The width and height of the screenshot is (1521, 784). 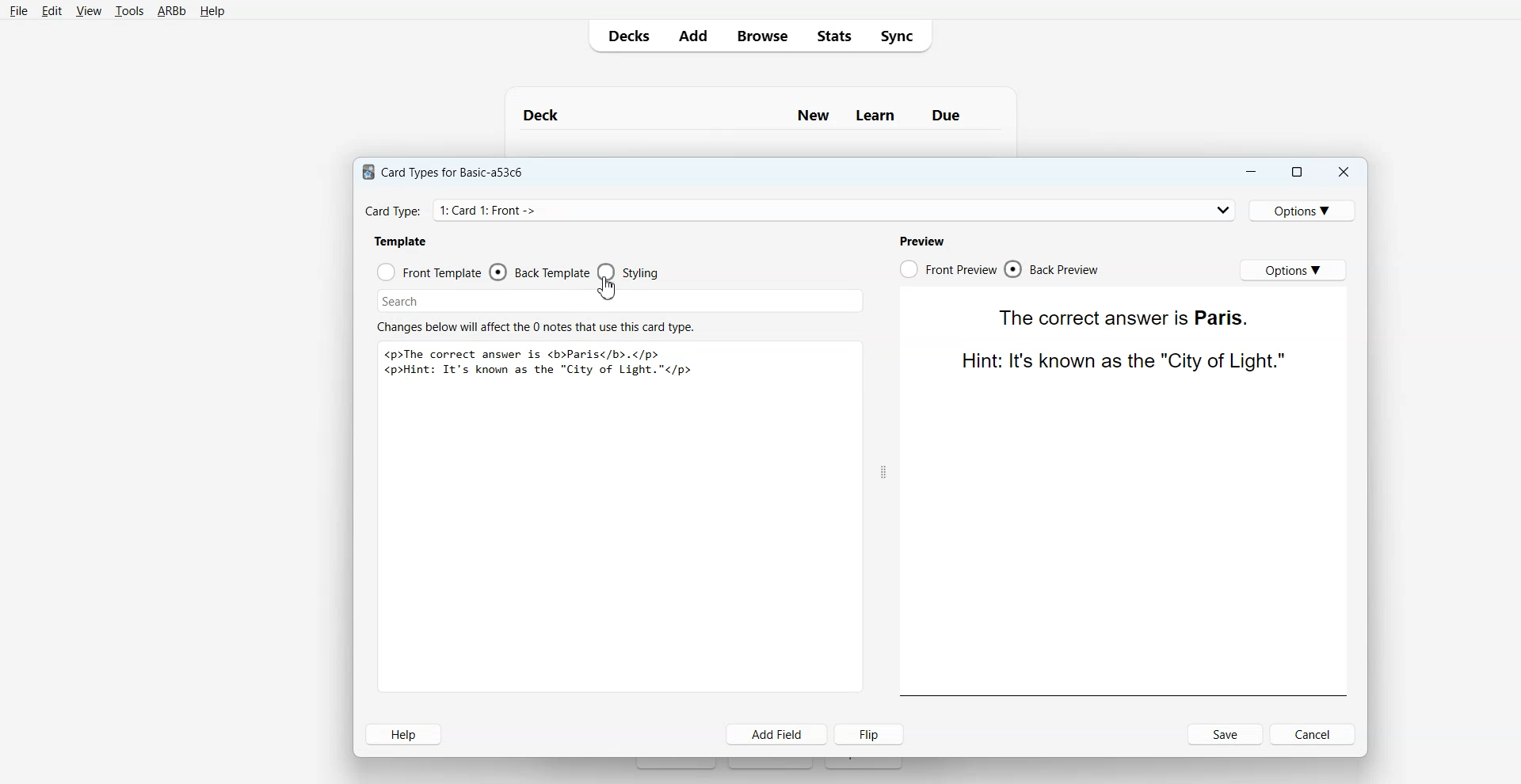 I want to click on Preview, so click(x=921, y=241).